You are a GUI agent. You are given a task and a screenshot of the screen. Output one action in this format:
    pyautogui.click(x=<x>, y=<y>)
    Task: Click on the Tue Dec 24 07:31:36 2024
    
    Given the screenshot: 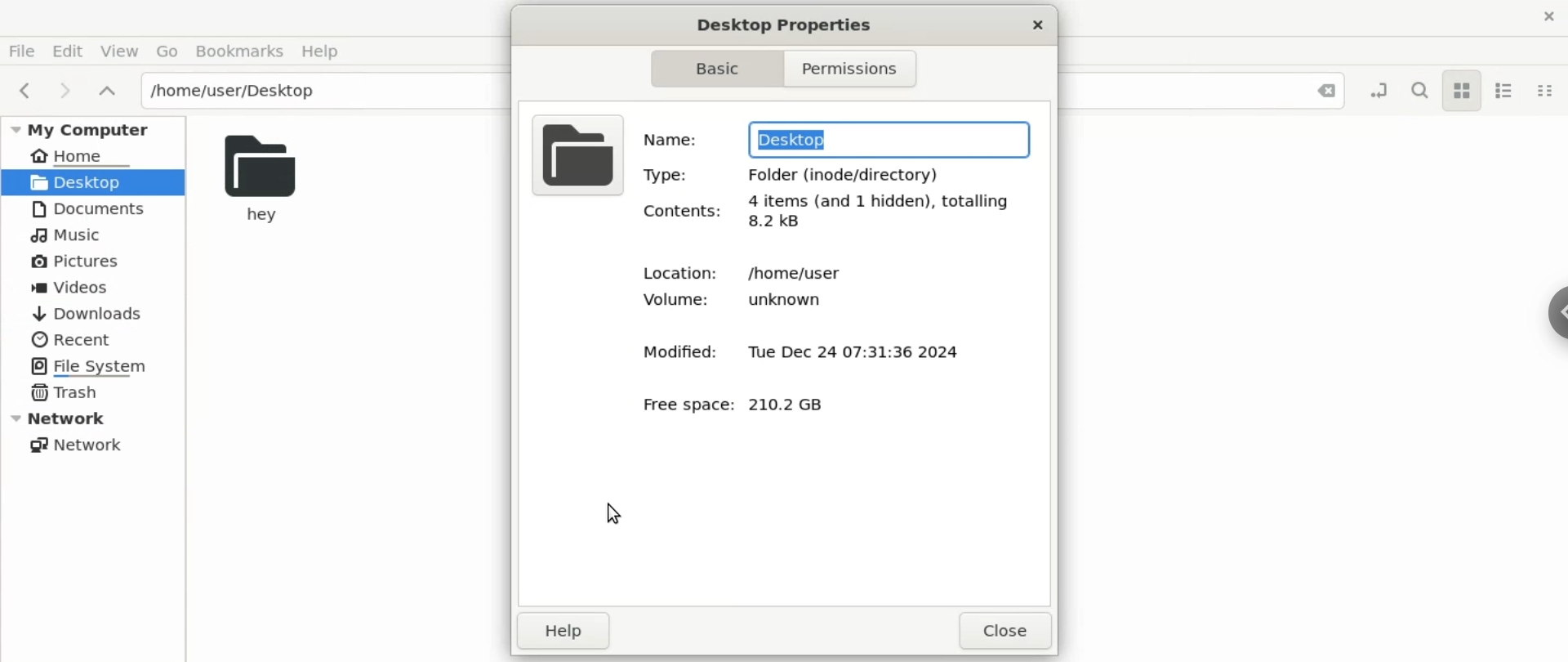 What is the action you would take?
    pyautogui.click(x=852, y=356)
    